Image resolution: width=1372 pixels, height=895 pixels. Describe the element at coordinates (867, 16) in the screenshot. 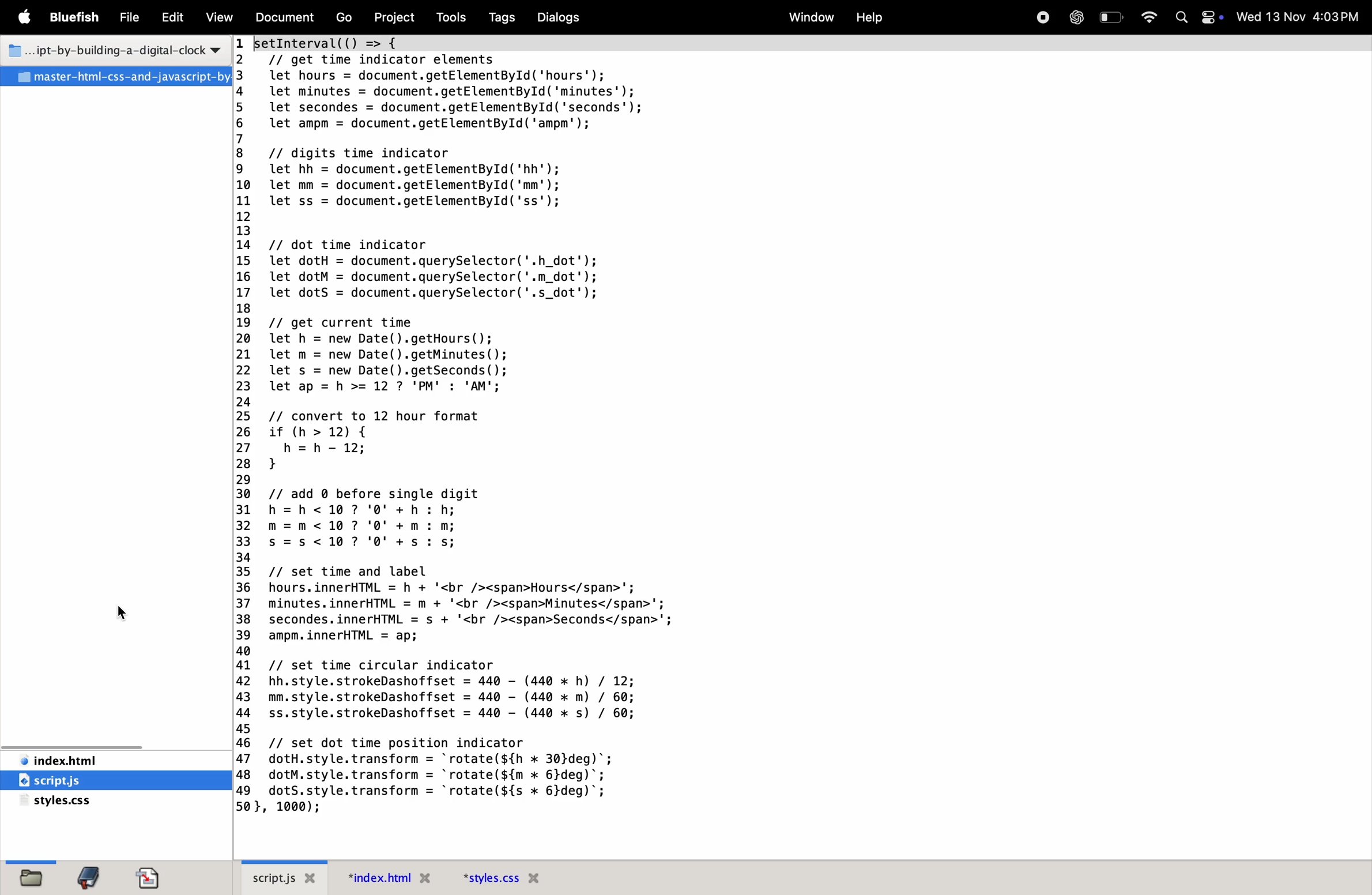

I see `help` at that location.